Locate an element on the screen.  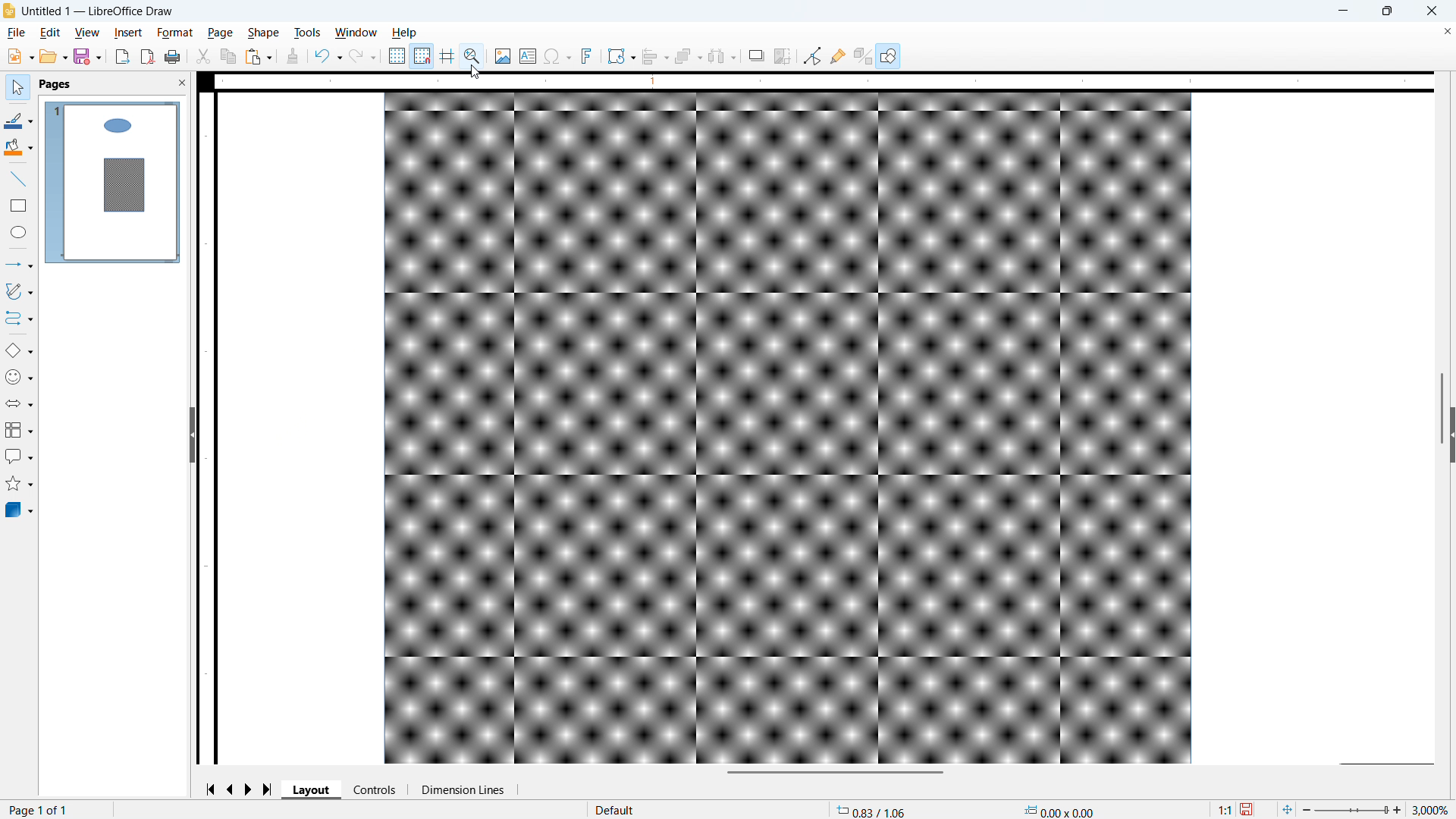
Guidelines while moving  is located at coordinates (447, 55).